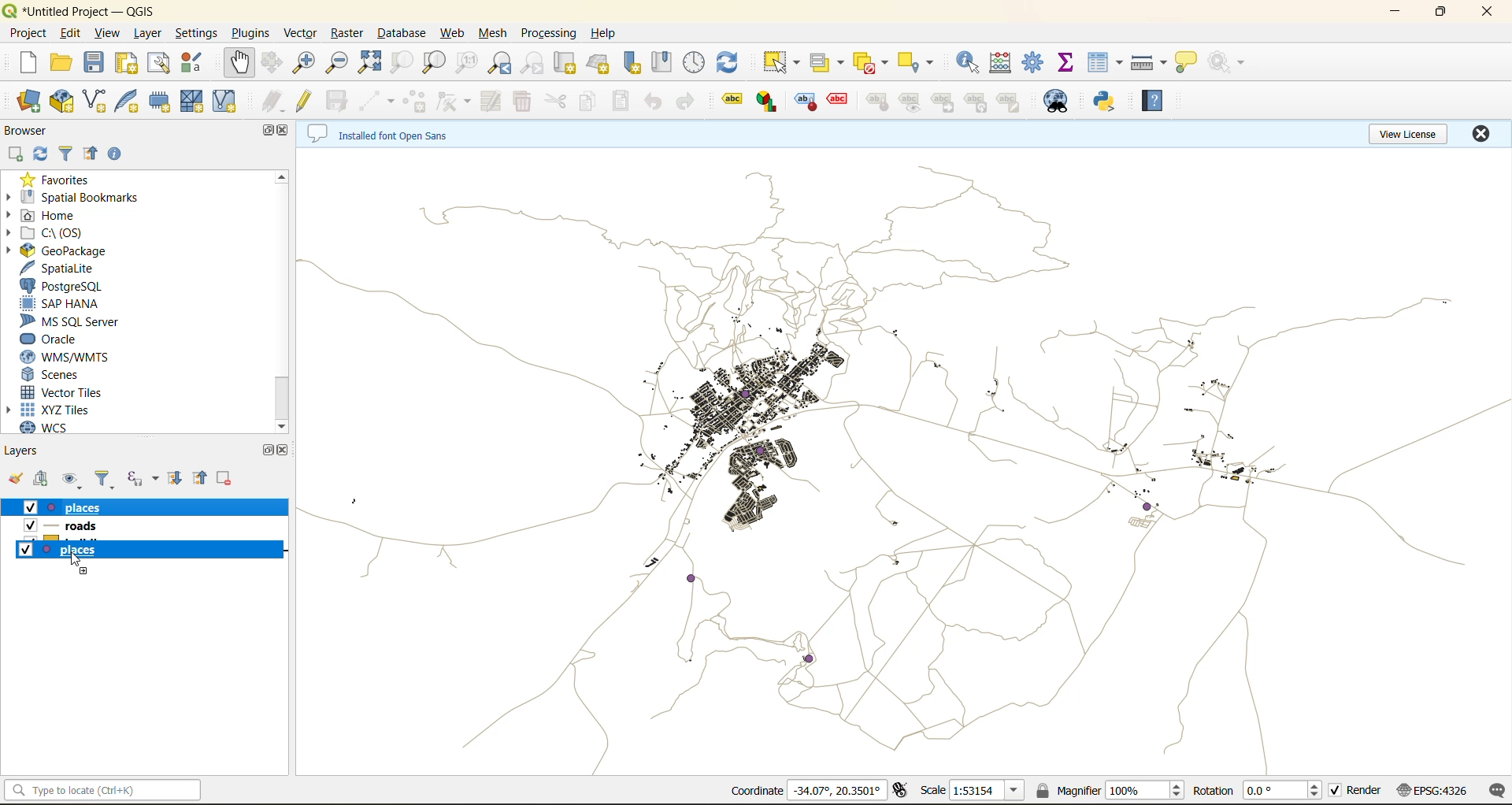  What do you see at coordinates (69, 285) in the screenshot?
I see `postgre sql` at bounding box center [69, 285].